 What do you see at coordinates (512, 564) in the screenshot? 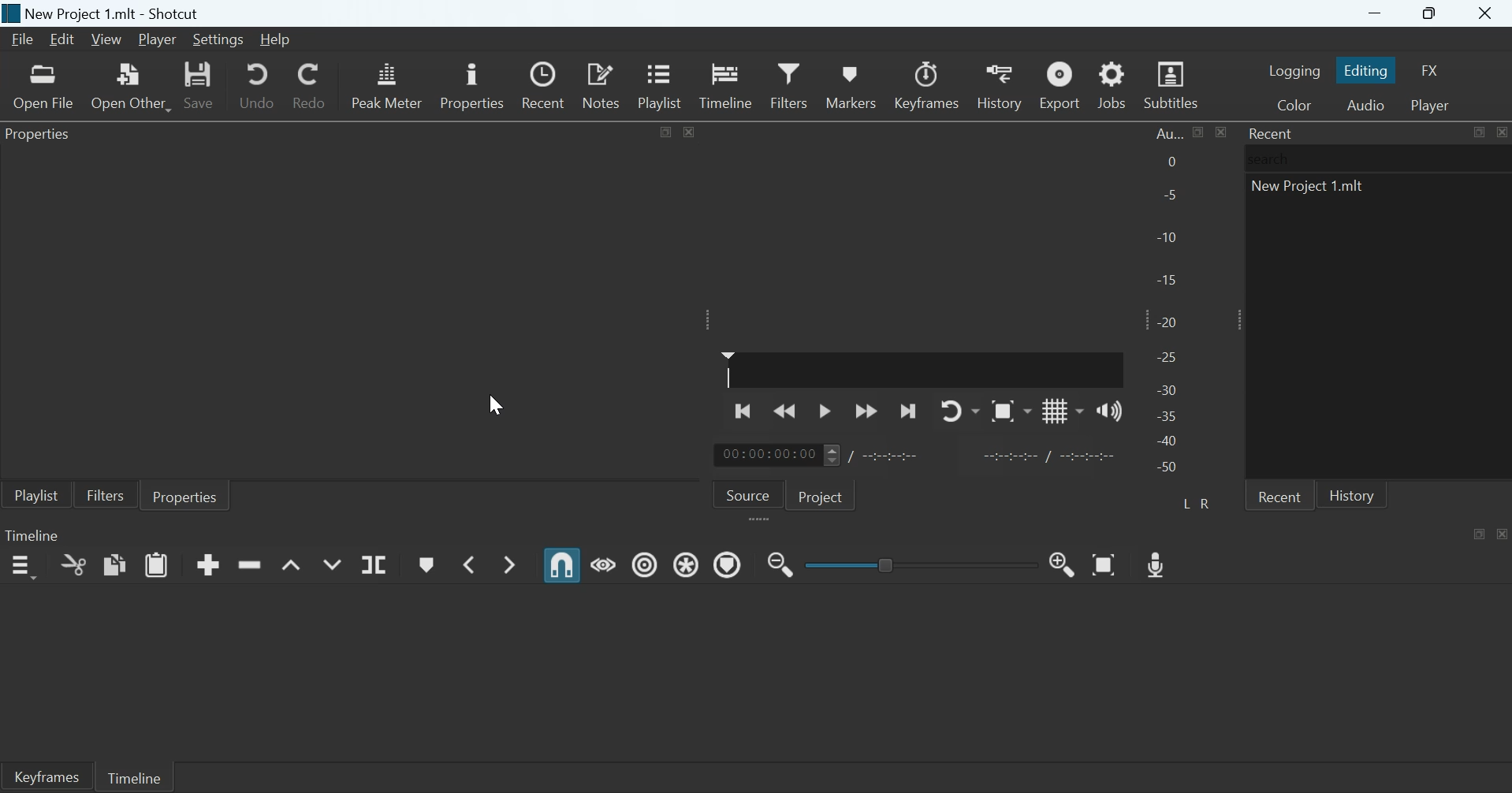
I see `Next marker` at bounding box center [512, 564].